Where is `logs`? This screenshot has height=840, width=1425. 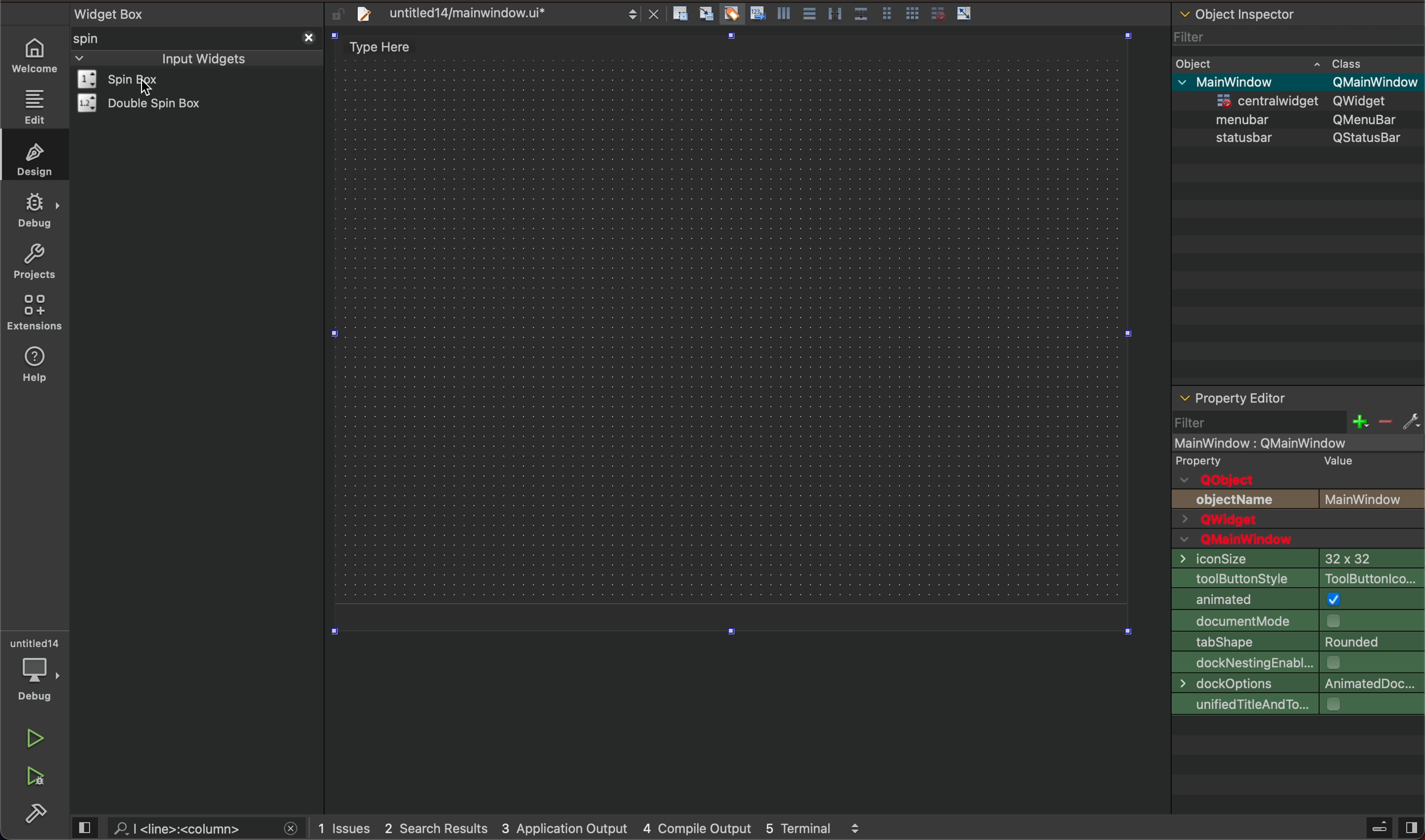 logs is located at coordinates (601, 829).